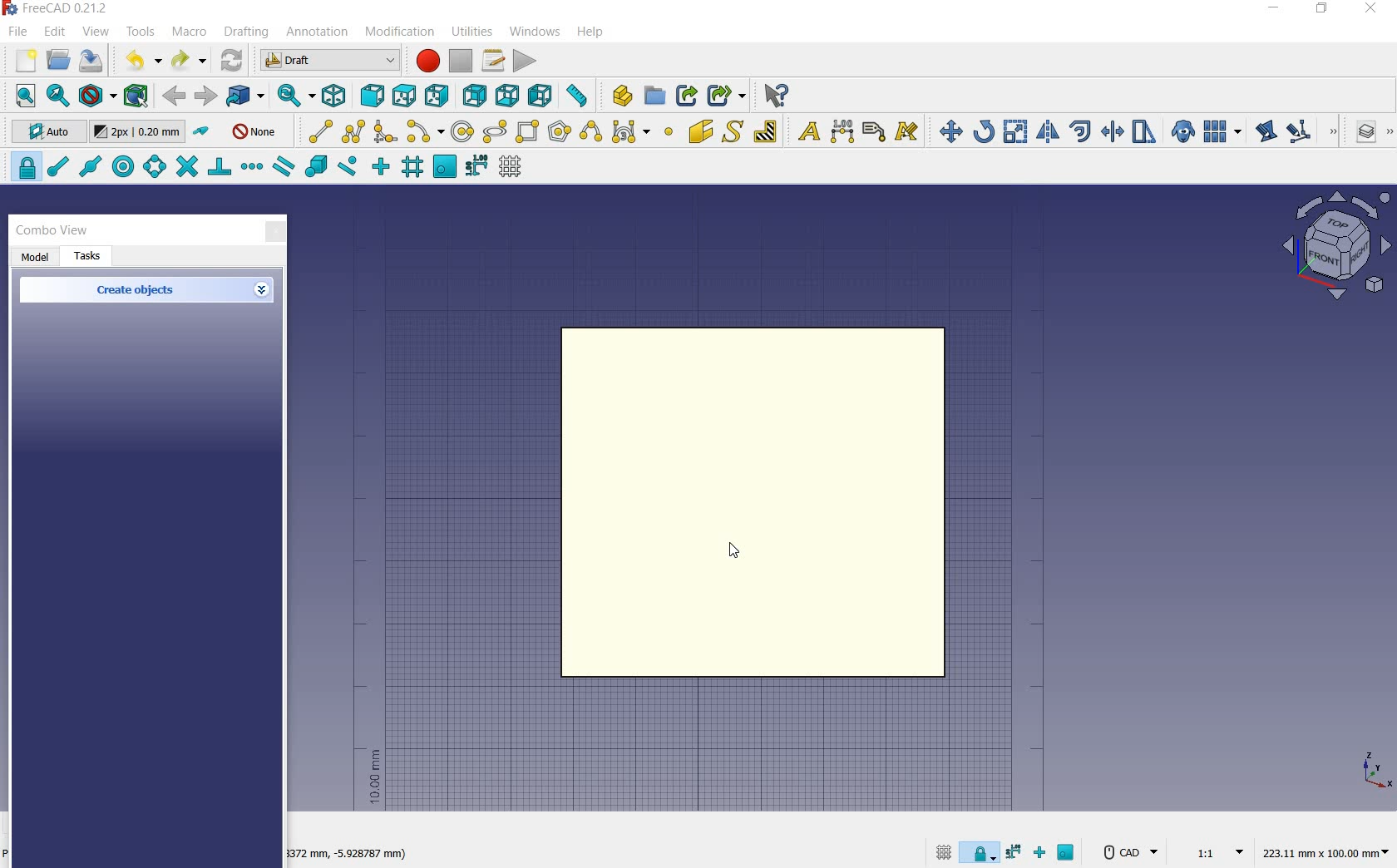 The height and width of the screenshot is (868, 1397). Describe the element at coordinates (874, 131) in the screenshot. I see `label` at that location.